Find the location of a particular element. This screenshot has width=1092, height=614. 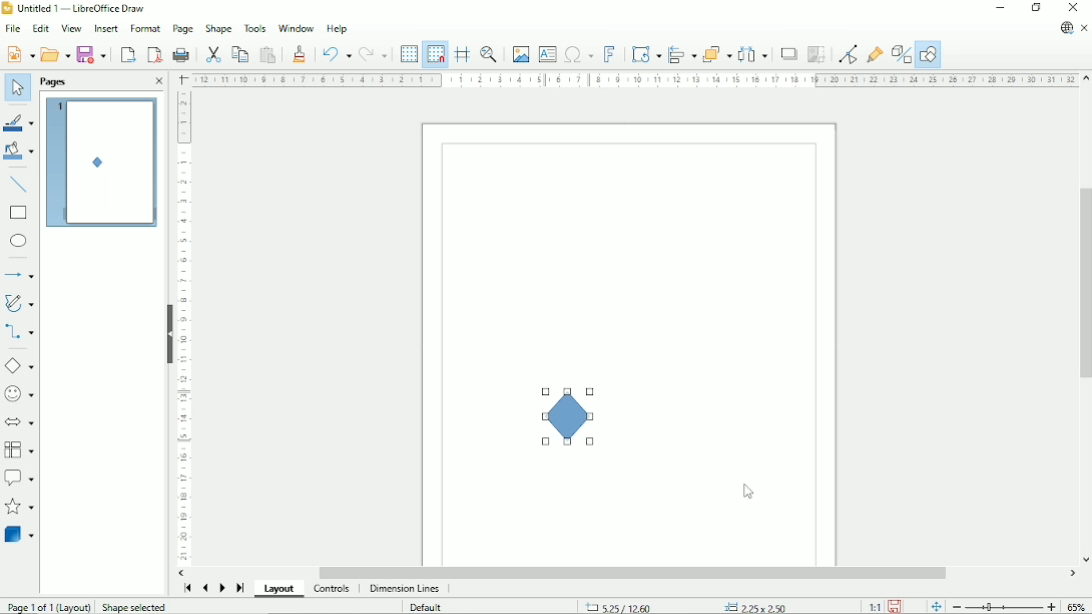

Curves and polygons is located at coordinates (20, 302).